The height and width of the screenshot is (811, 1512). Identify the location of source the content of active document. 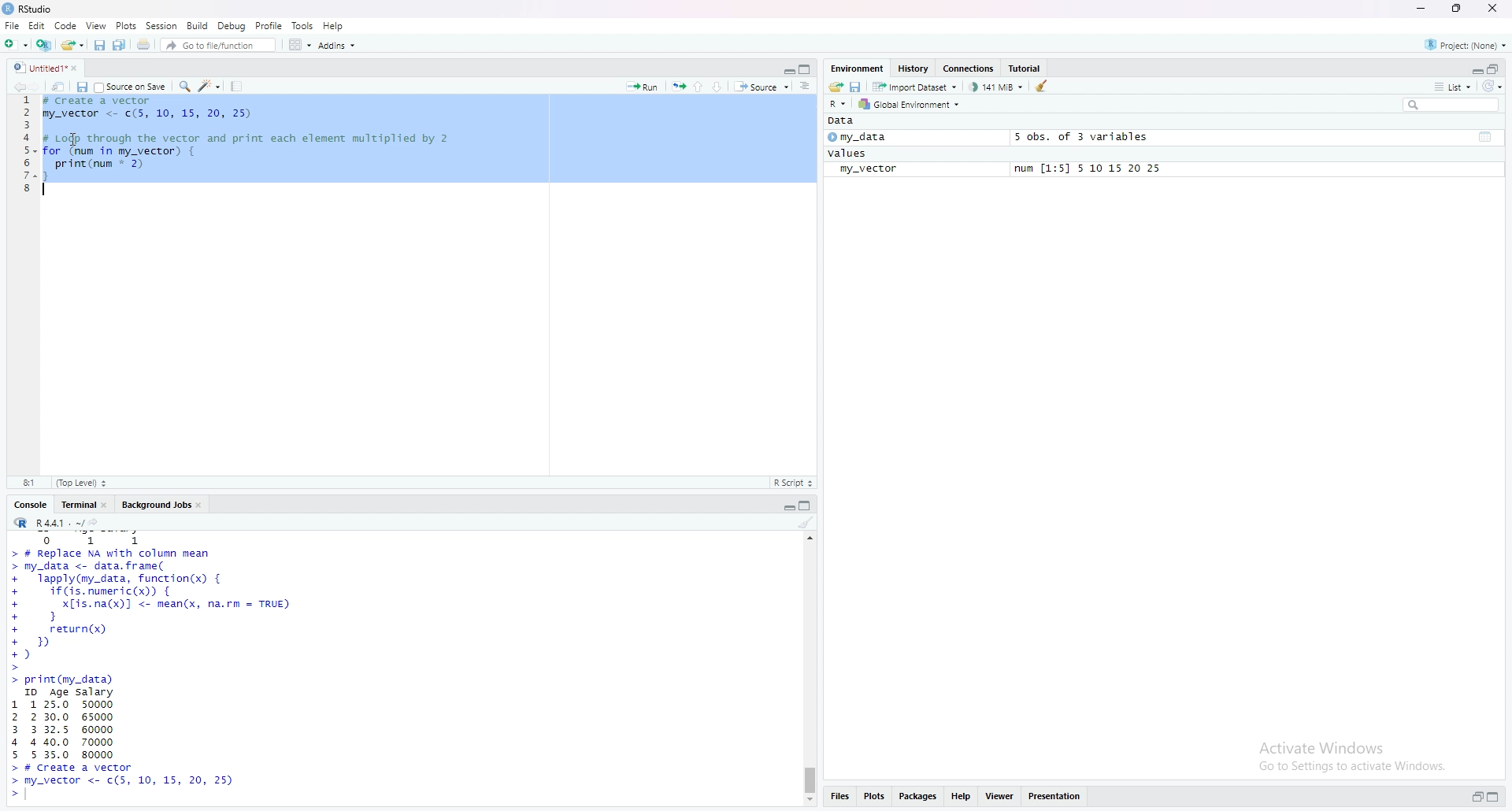
(764, 87).